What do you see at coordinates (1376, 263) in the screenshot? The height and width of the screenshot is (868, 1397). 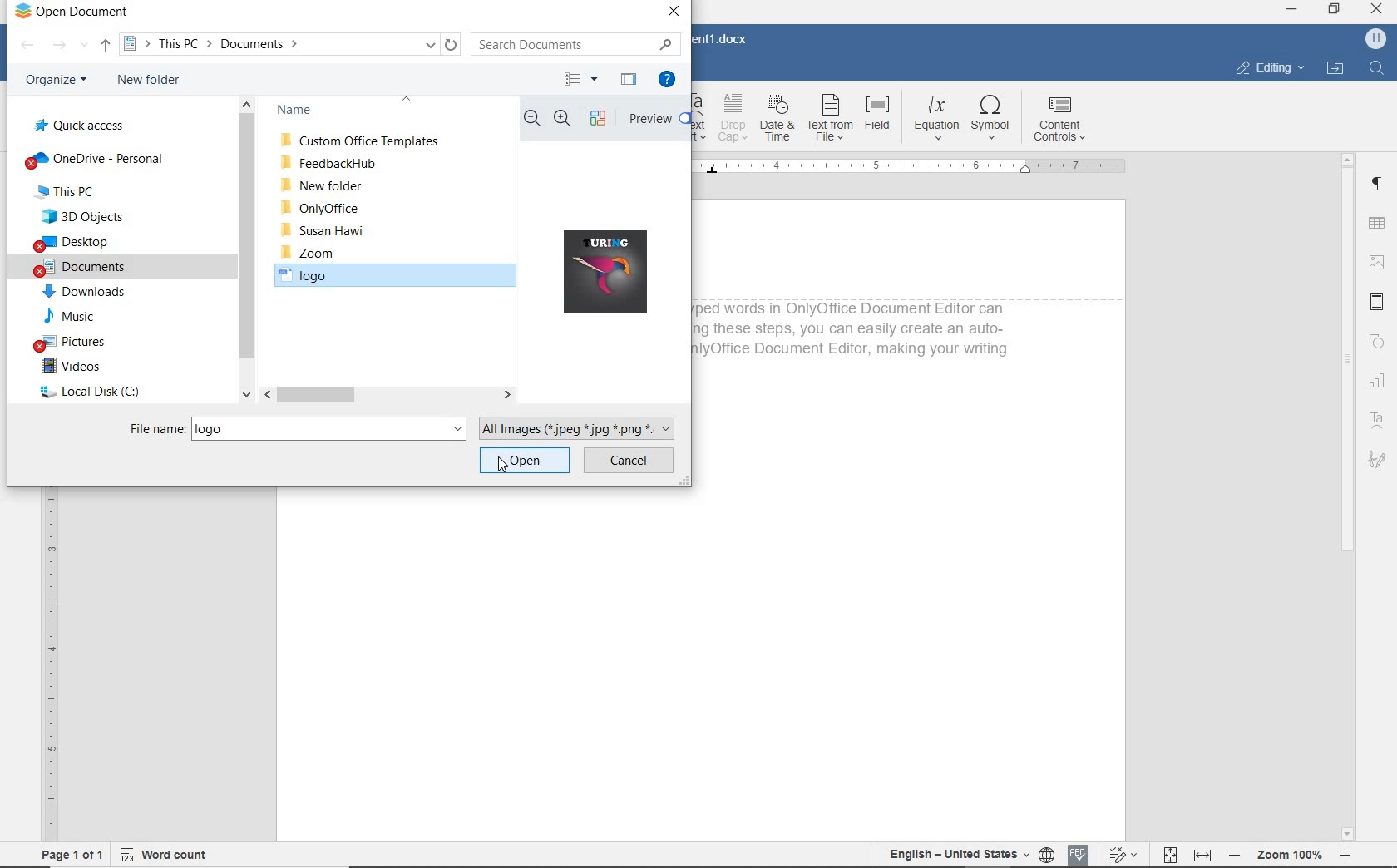 I see `IMAGE` at bounding box center [1376, 263].